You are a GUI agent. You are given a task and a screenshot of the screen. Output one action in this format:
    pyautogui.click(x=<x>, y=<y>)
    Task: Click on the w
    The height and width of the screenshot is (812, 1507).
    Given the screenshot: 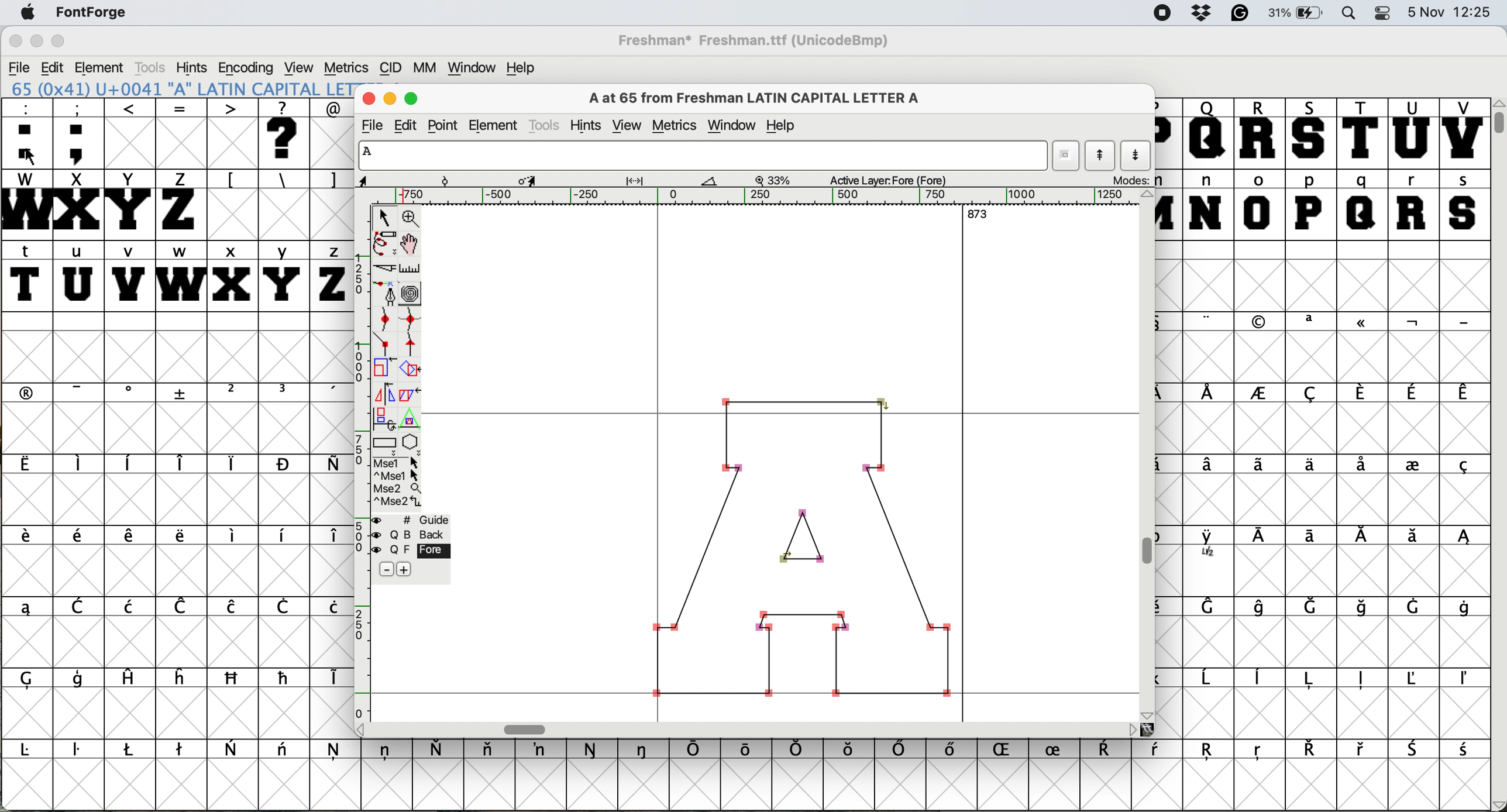 What is the action you would take?
    pyautogui.click(x=178, y=274)
    